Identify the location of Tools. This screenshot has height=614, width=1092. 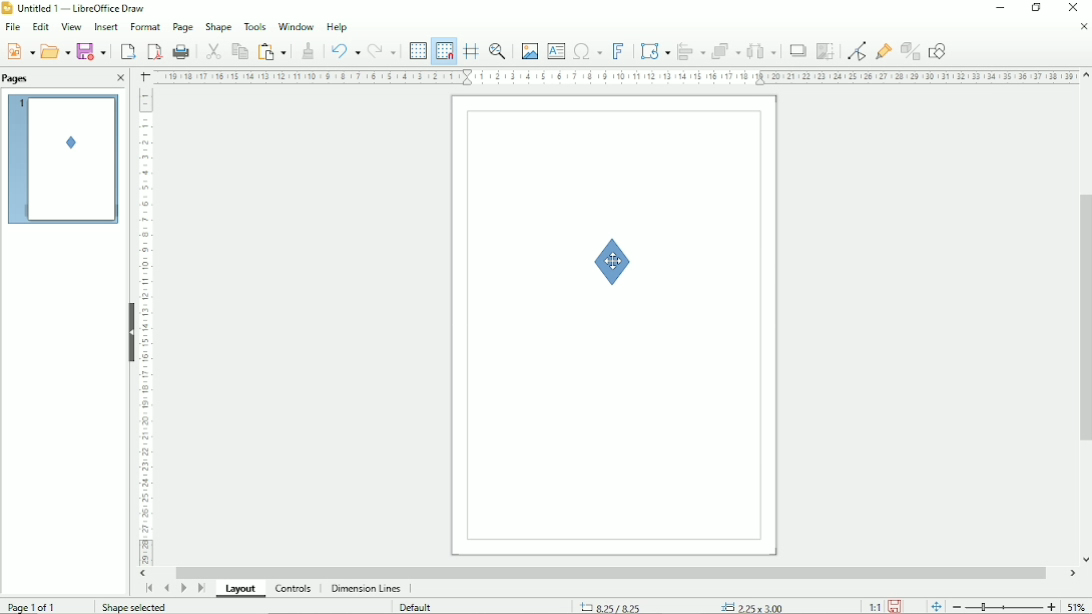
(254, 26).